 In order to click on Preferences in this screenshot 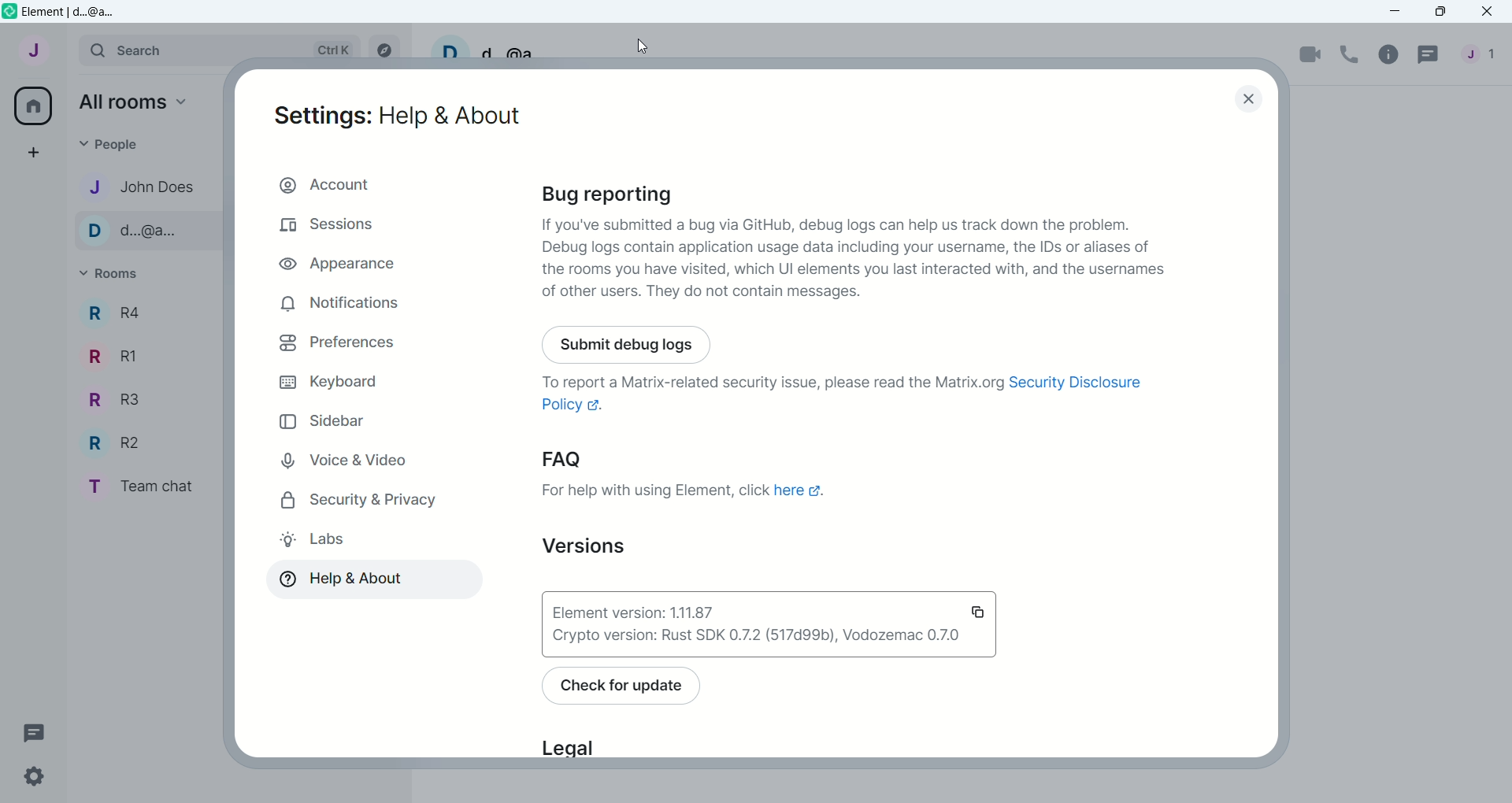, I will do `click(338, 343)`.